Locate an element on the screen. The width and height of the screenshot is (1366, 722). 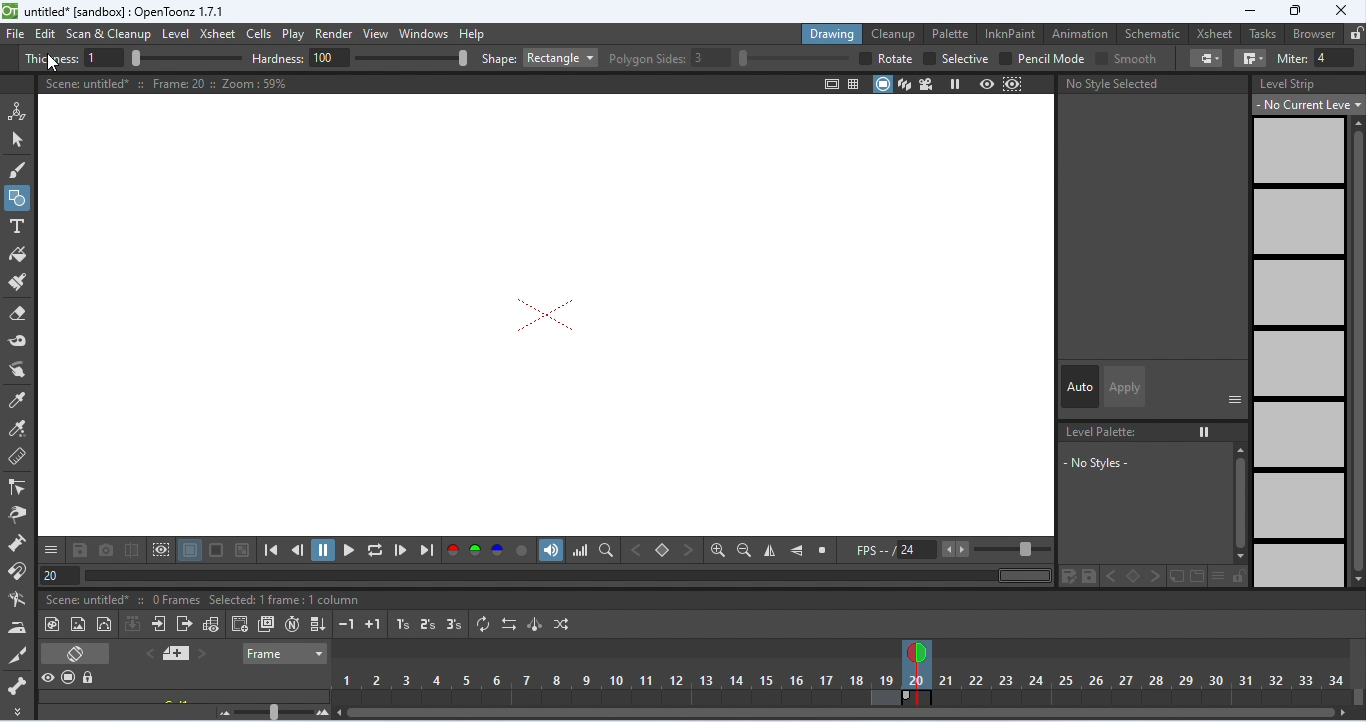
view is located at coordinates (375, 34).